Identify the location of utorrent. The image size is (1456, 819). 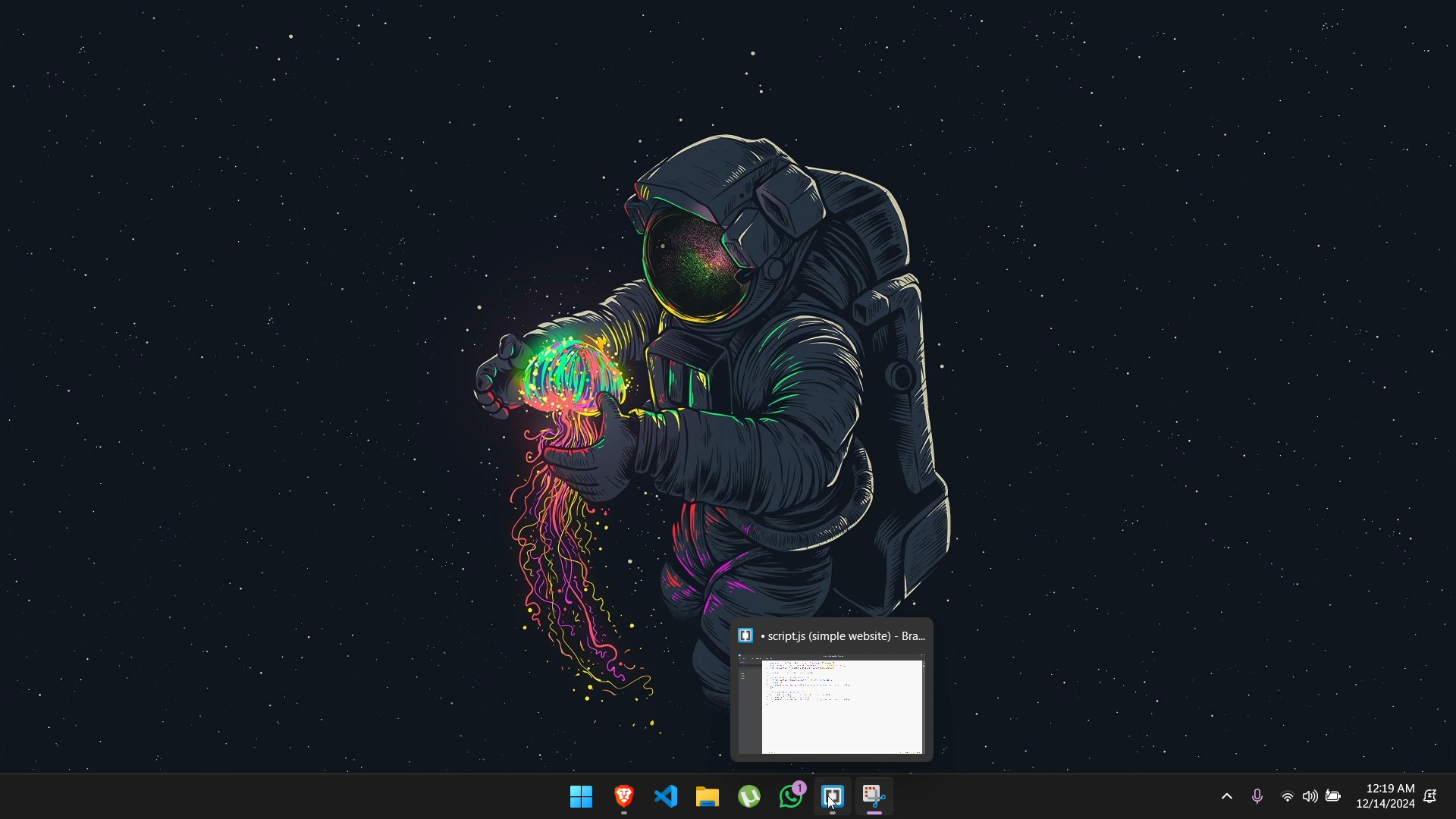
(748, 795).